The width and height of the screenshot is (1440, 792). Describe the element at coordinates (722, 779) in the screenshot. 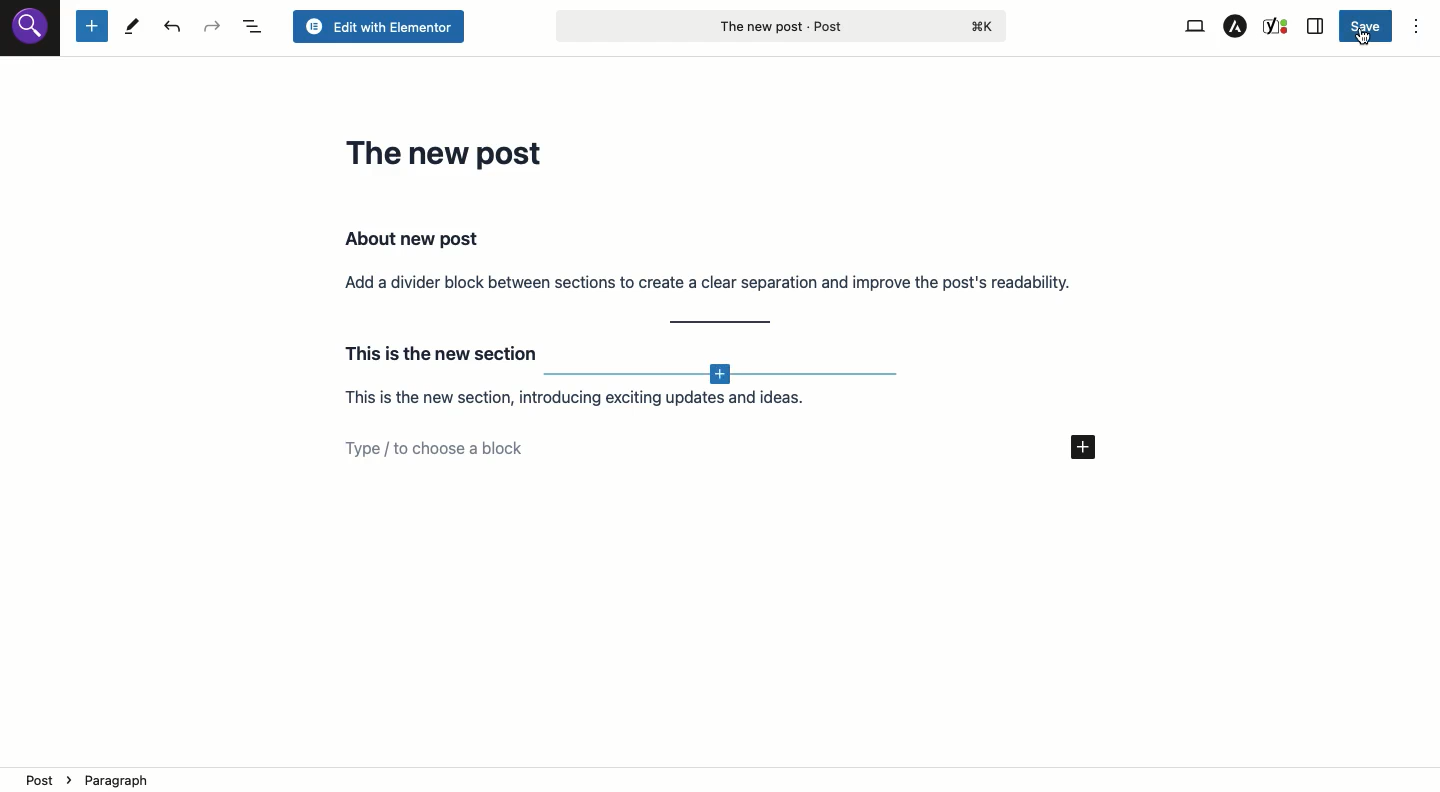

I see `Location` at that location.